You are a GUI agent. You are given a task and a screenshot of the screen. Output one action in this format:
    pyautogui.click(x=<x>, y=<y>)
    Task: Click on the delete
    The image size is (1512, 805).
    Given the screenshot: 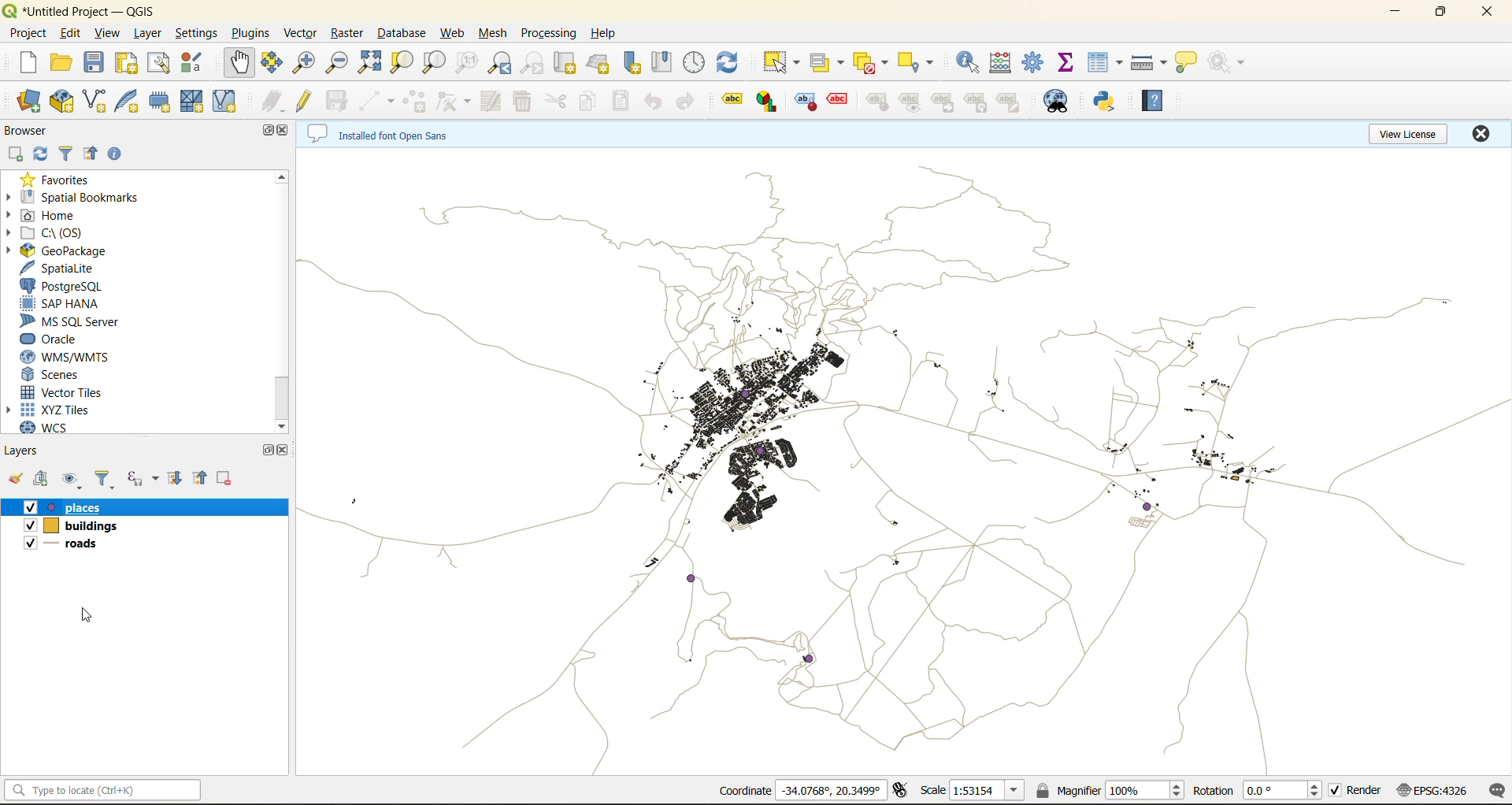 What is the action you would take?
    pyautogui.click(x=524, y=102)
    